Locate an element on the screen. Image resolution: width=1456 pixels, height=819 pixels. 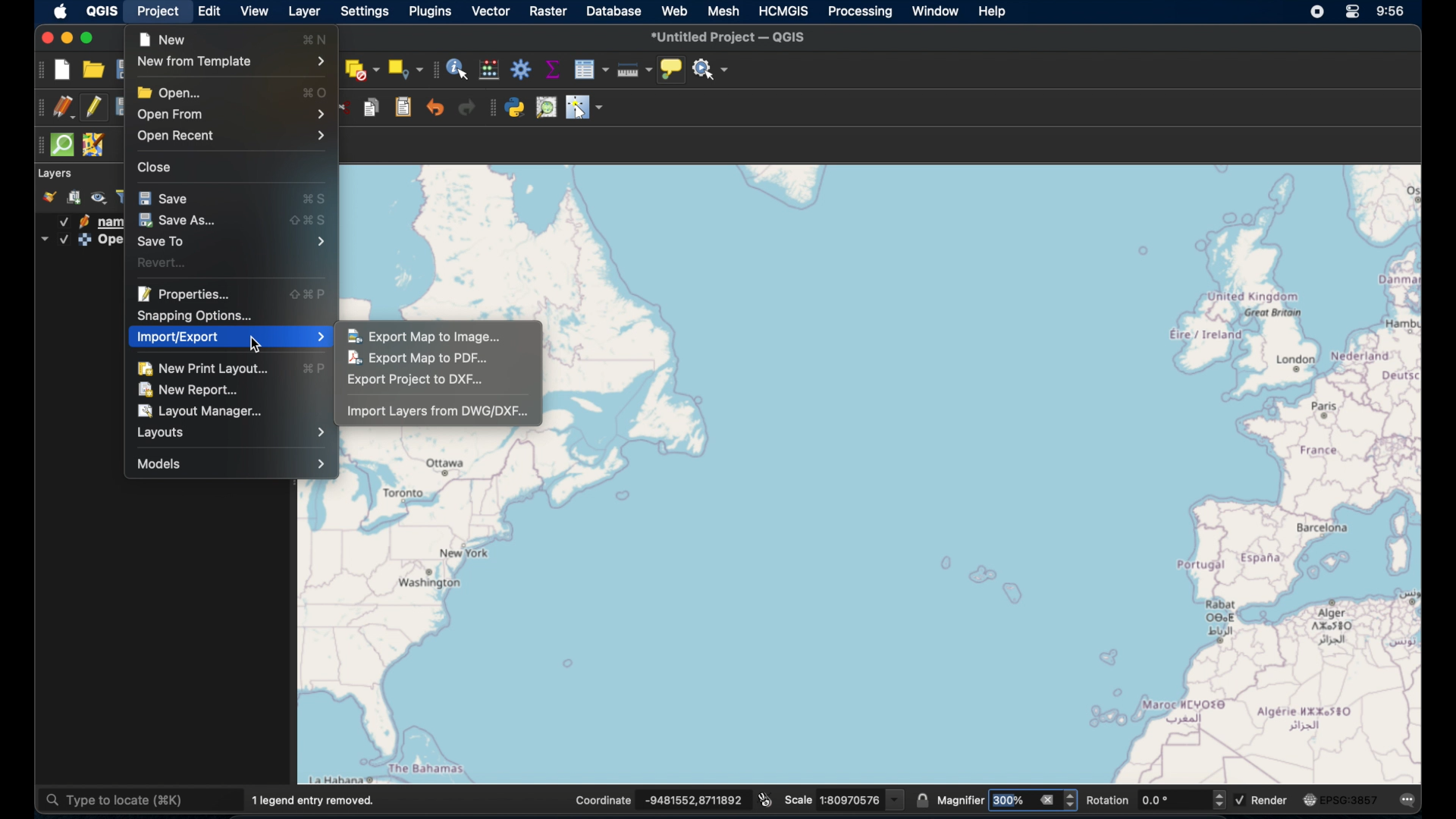
new print layout shortcut is located at coordinates (315, 369).